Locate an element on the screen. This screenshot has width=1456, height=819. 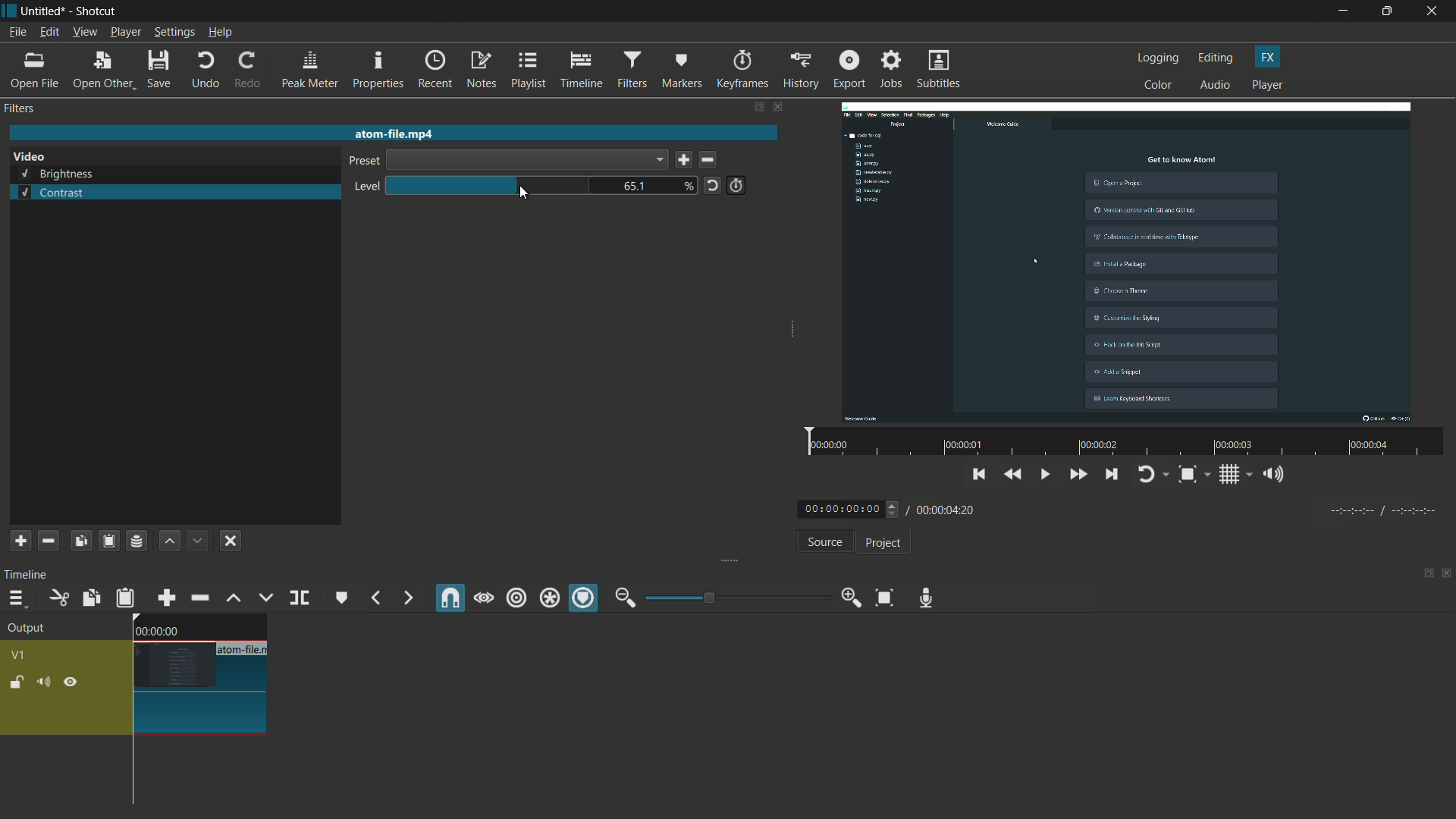
ripple all tracks is located at coordinates (548, 600).